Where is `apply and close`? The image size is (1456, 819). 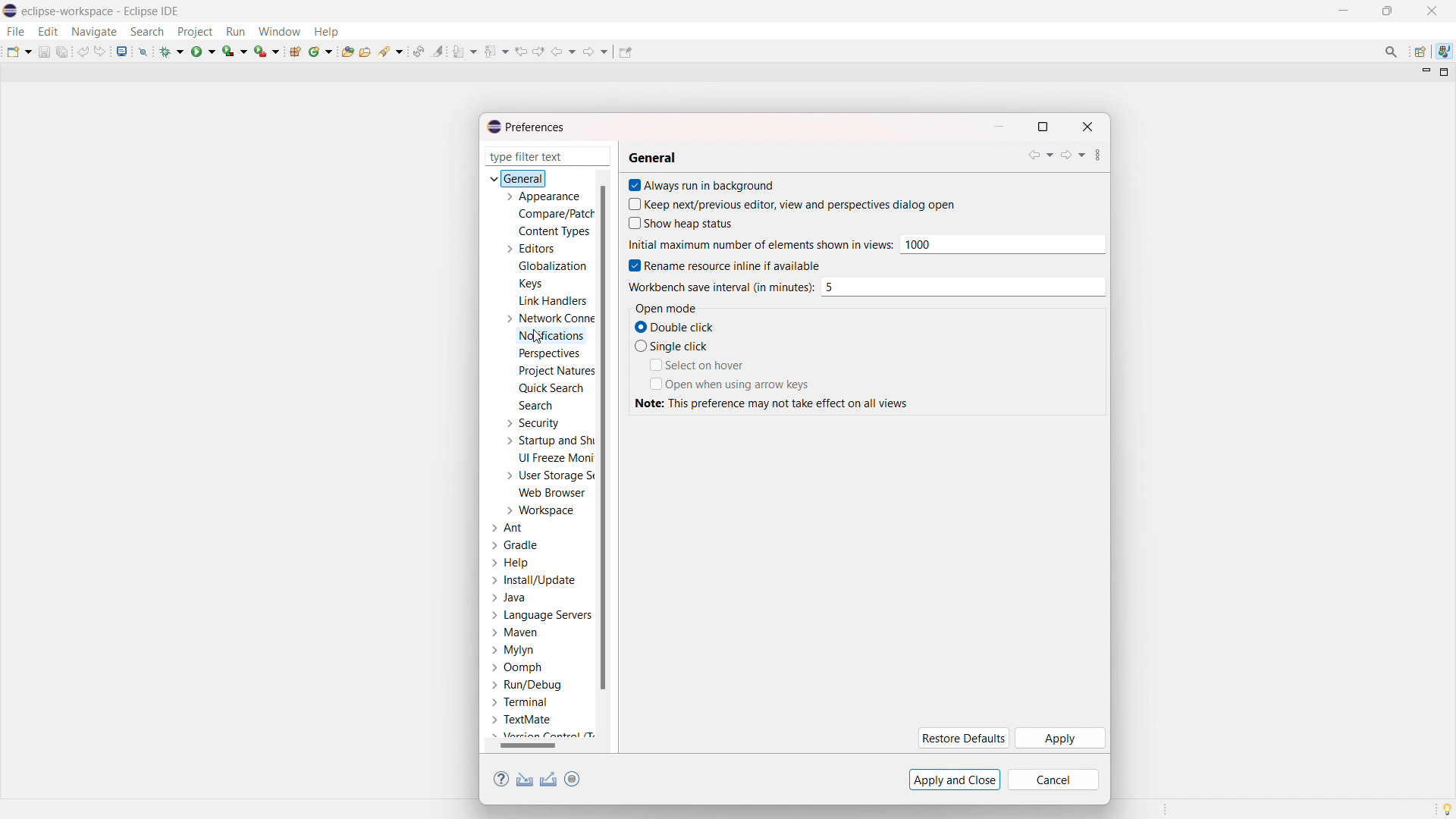 apply and close is located at coordinates (955, 780).